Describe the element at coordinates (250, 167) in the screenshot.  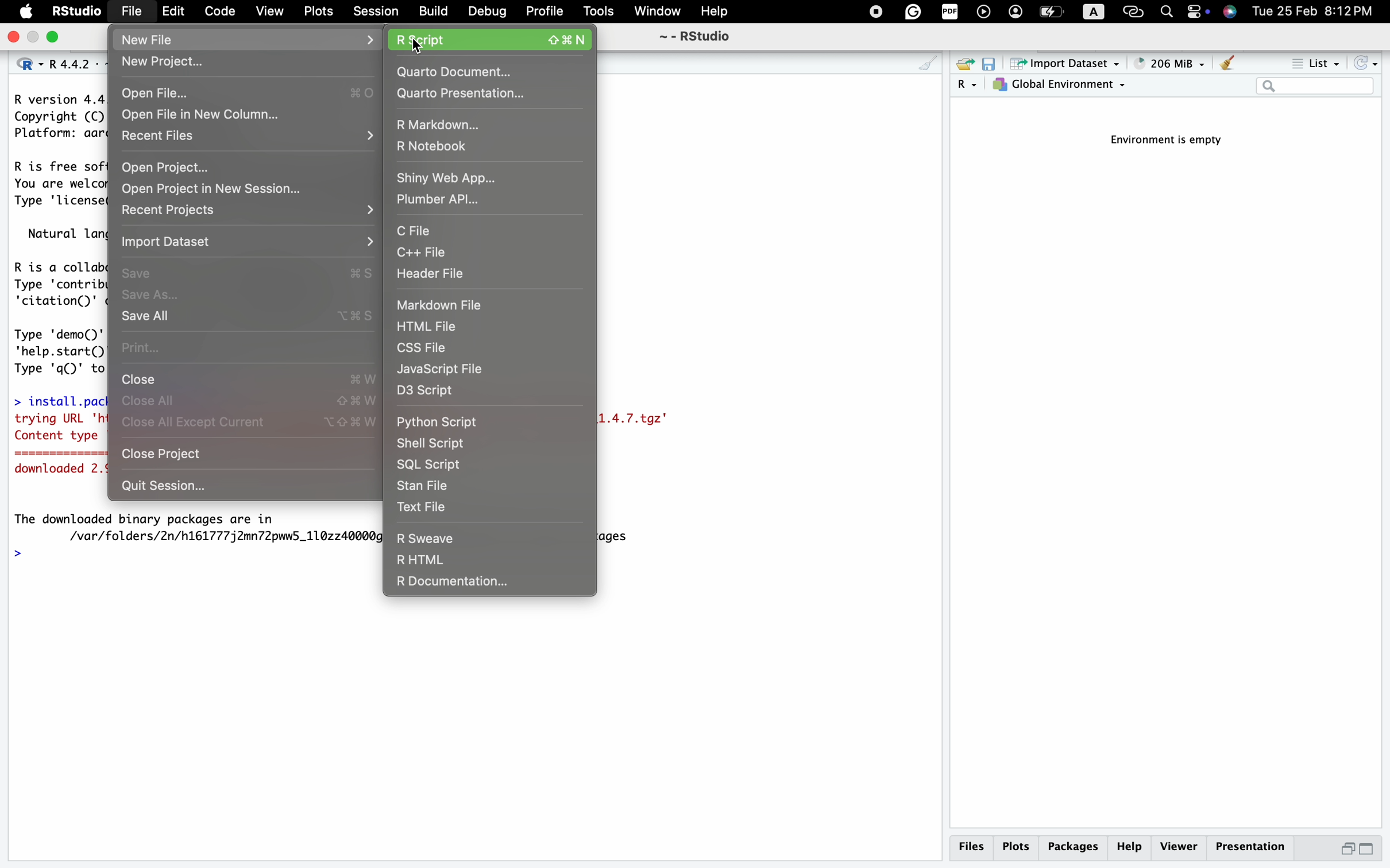
I see `open project` at that location.